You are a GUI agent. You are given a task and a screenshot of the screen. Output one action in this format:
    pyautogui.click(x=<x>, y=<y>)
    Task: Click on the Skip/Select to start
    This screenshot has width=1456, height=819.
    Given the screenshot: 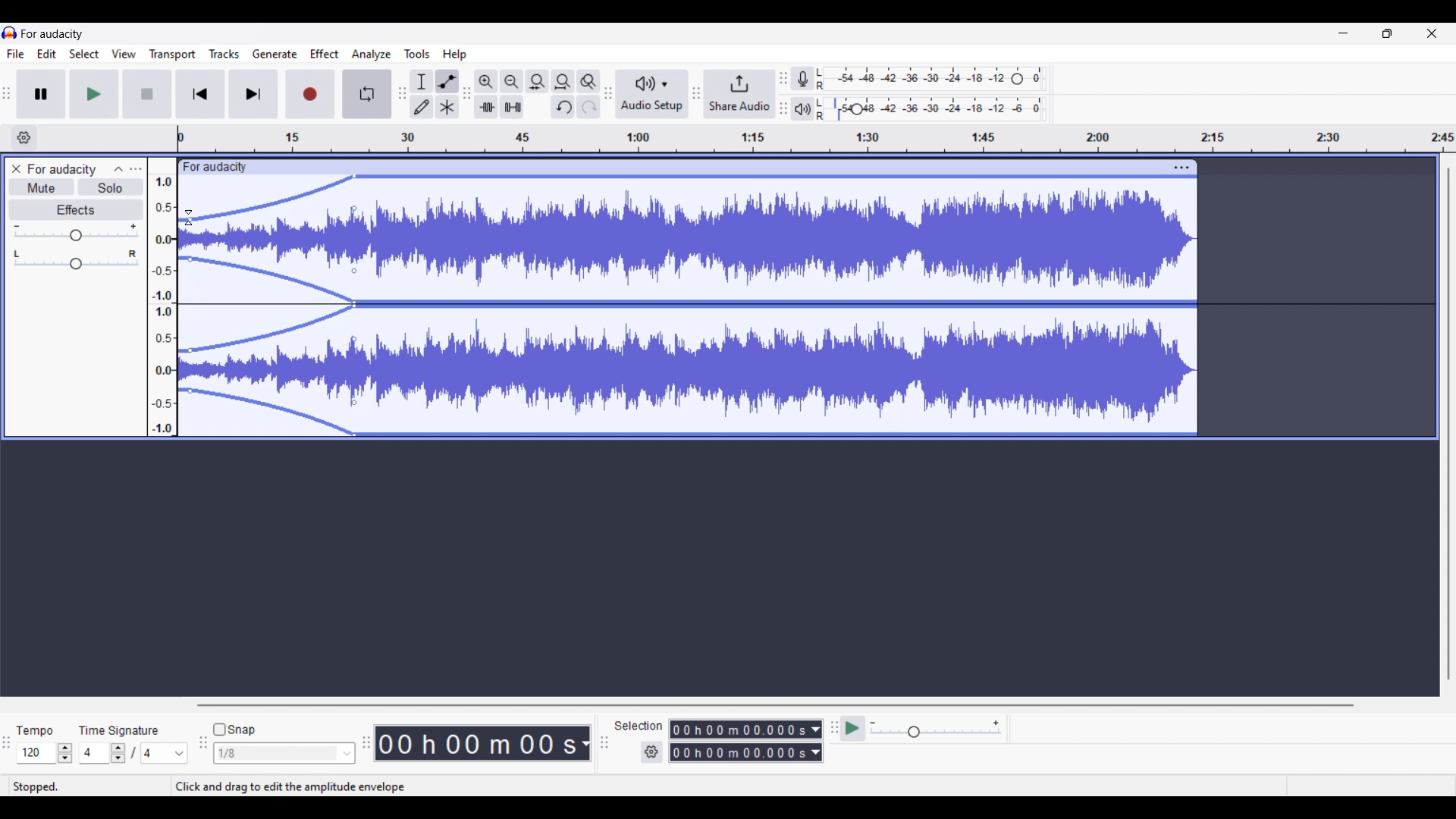 What is the action you would take?
    pyautogui.click(x=200, y=93)
    